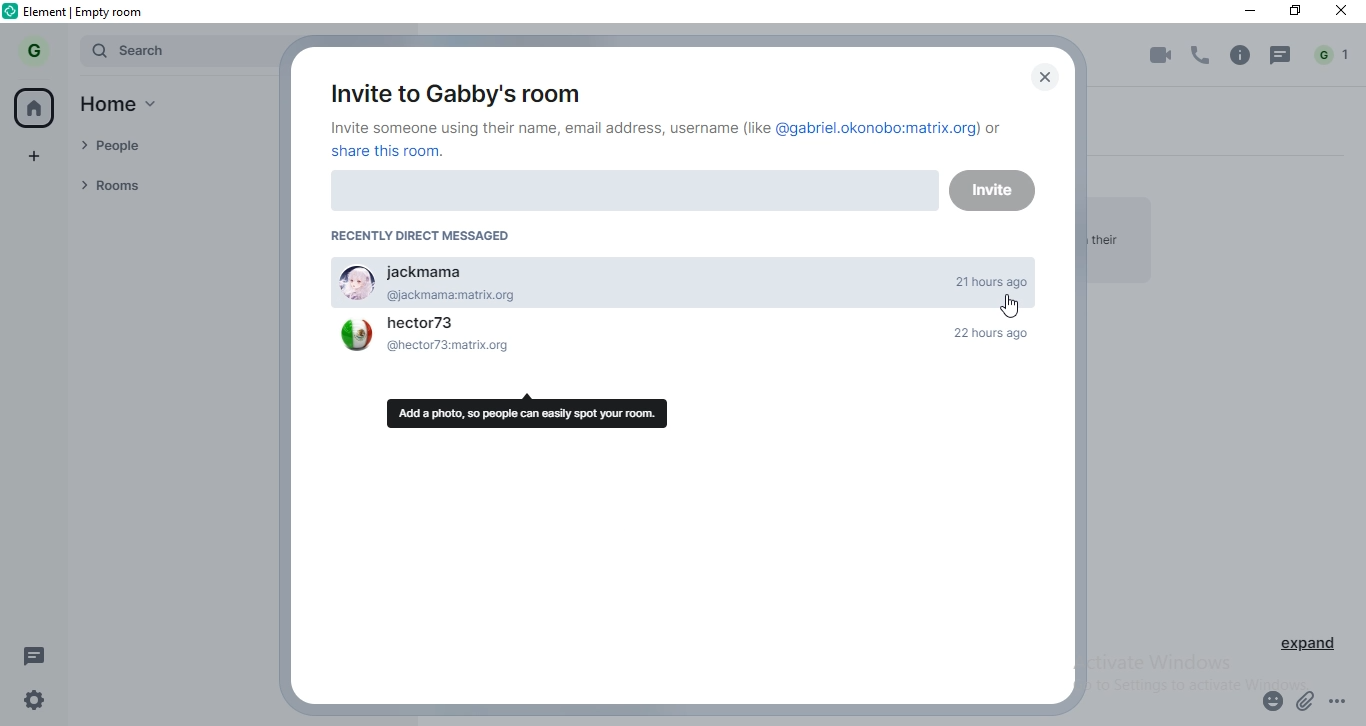 The height and width of the screenshot is (726, 1366). What do you see at coordinates (36, 153) in the screenshot?
I see `add space` at bounding box center [36, 153].